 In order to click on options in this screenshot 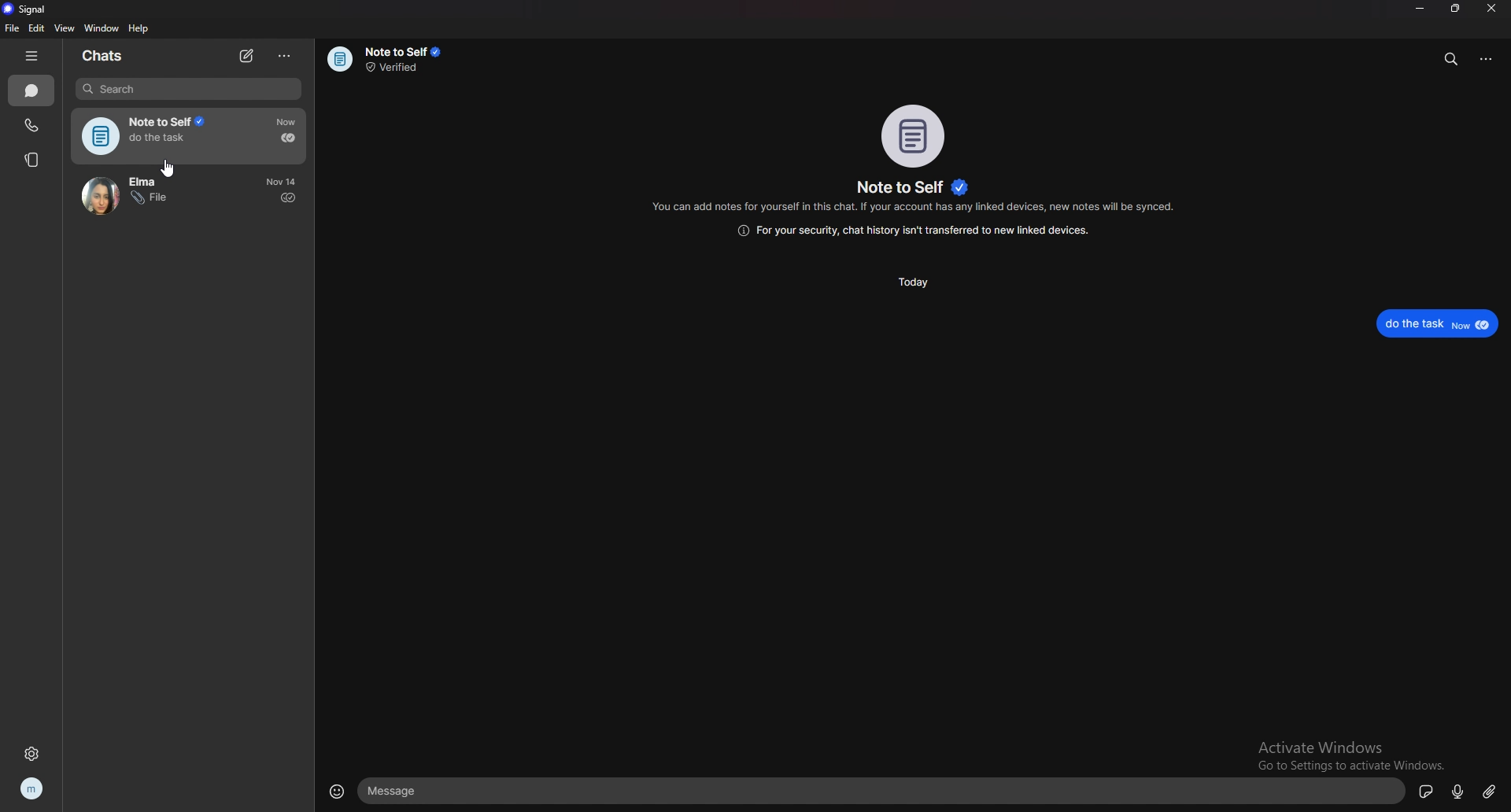, I will do `click(1488, 59)`.